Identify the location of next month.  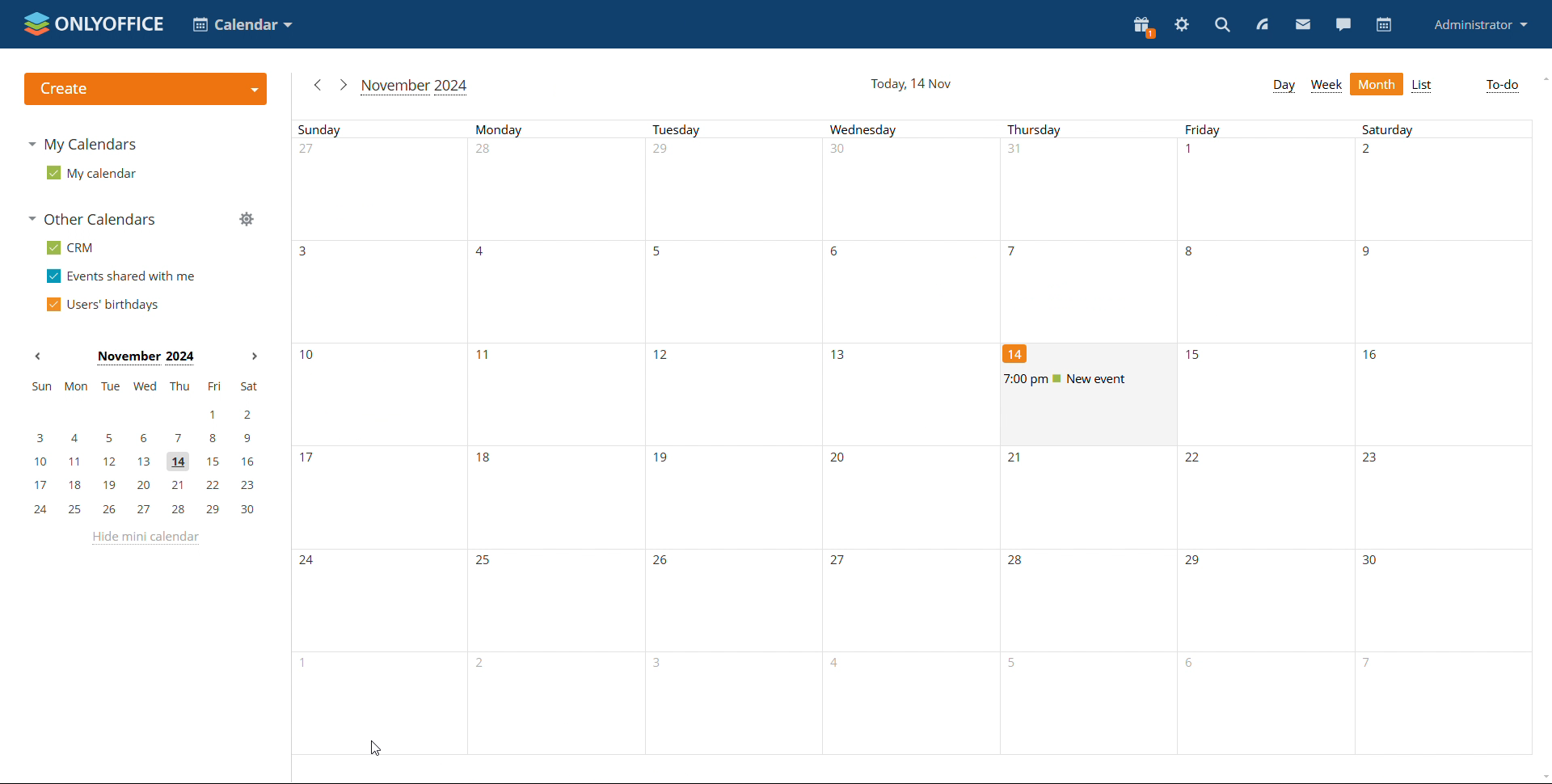
(255, 357).